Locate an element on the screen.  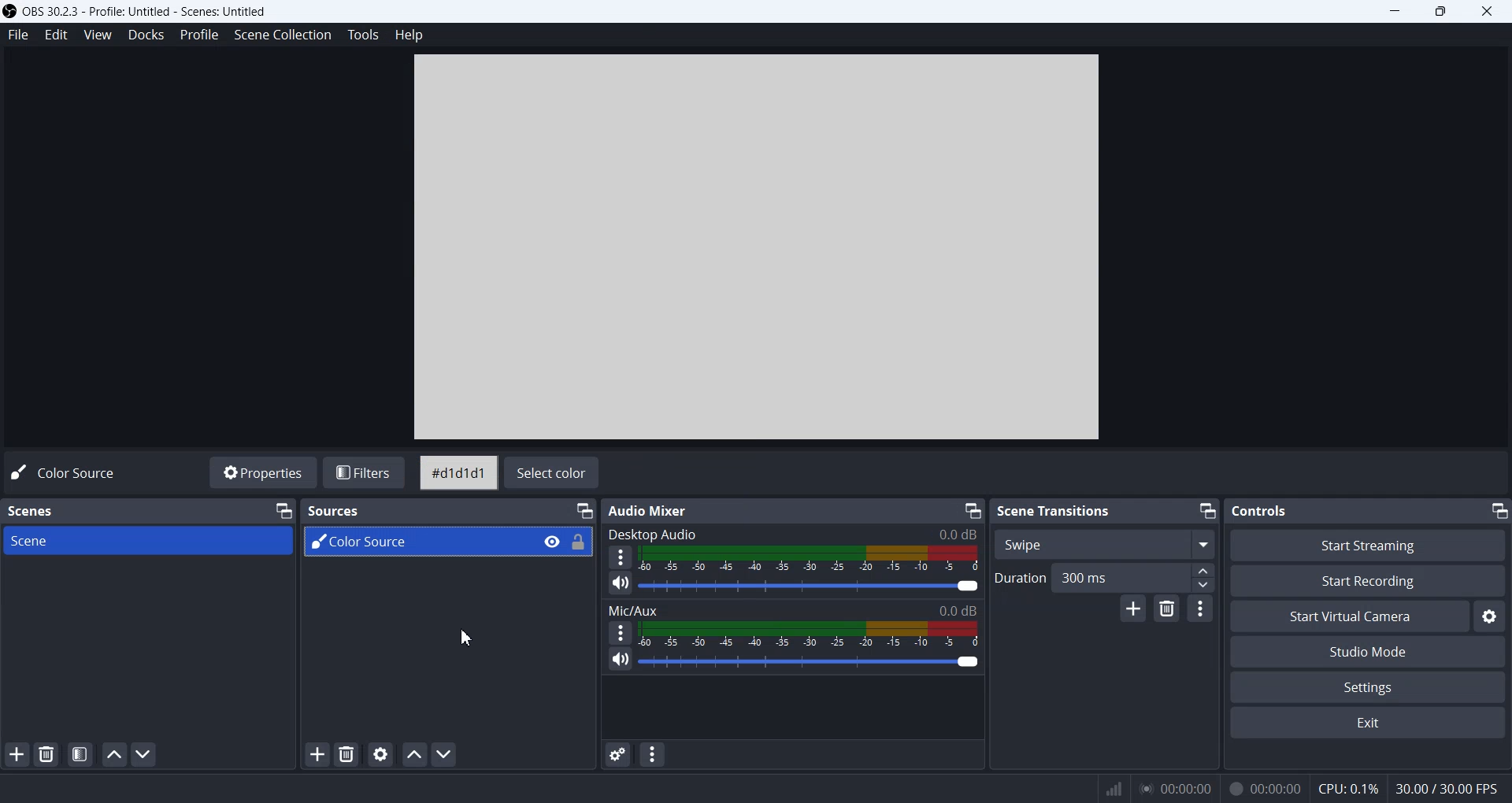
Volume Indicator is located at coordinates (810, 634).